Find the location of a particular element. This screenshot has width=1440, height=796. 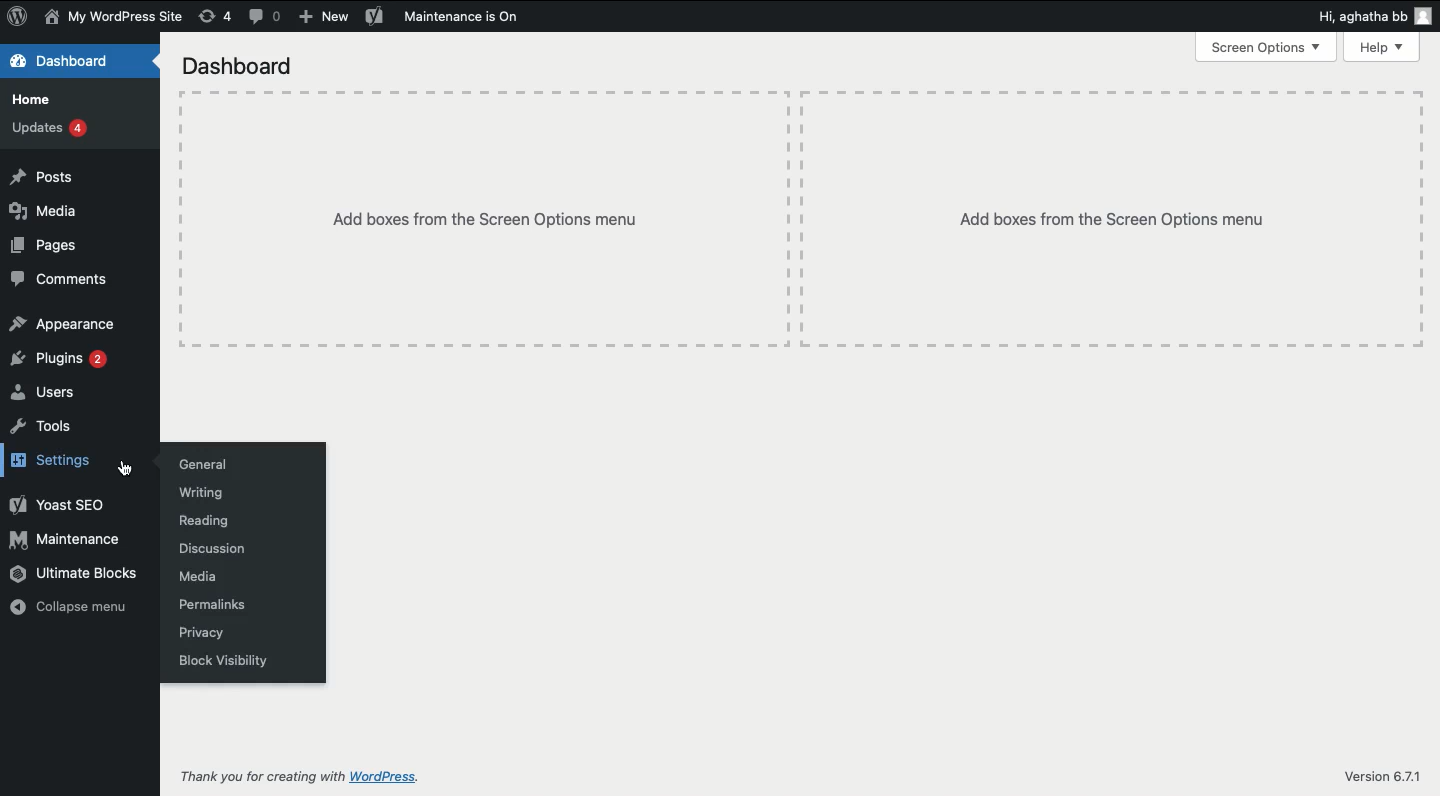

users is located at coordinates (52, 392).